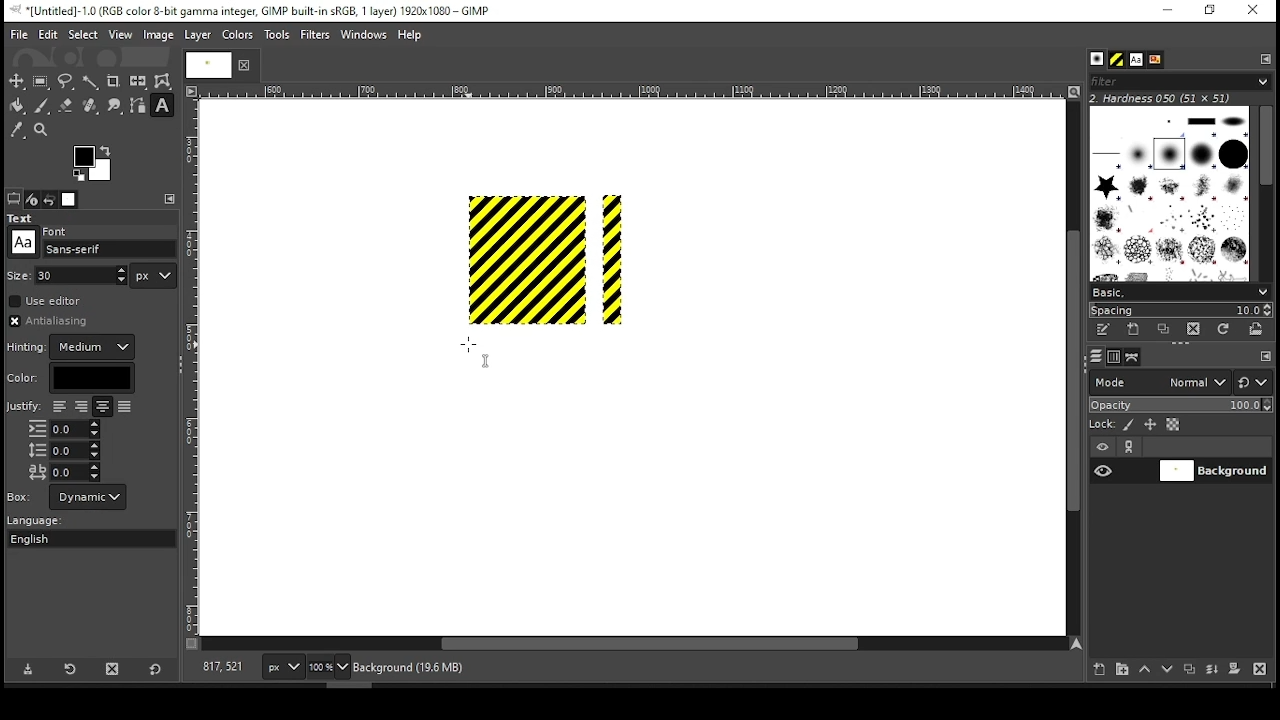 This screenshot has width=1280, height=720. I want to click on paths, so click(1135, 356).